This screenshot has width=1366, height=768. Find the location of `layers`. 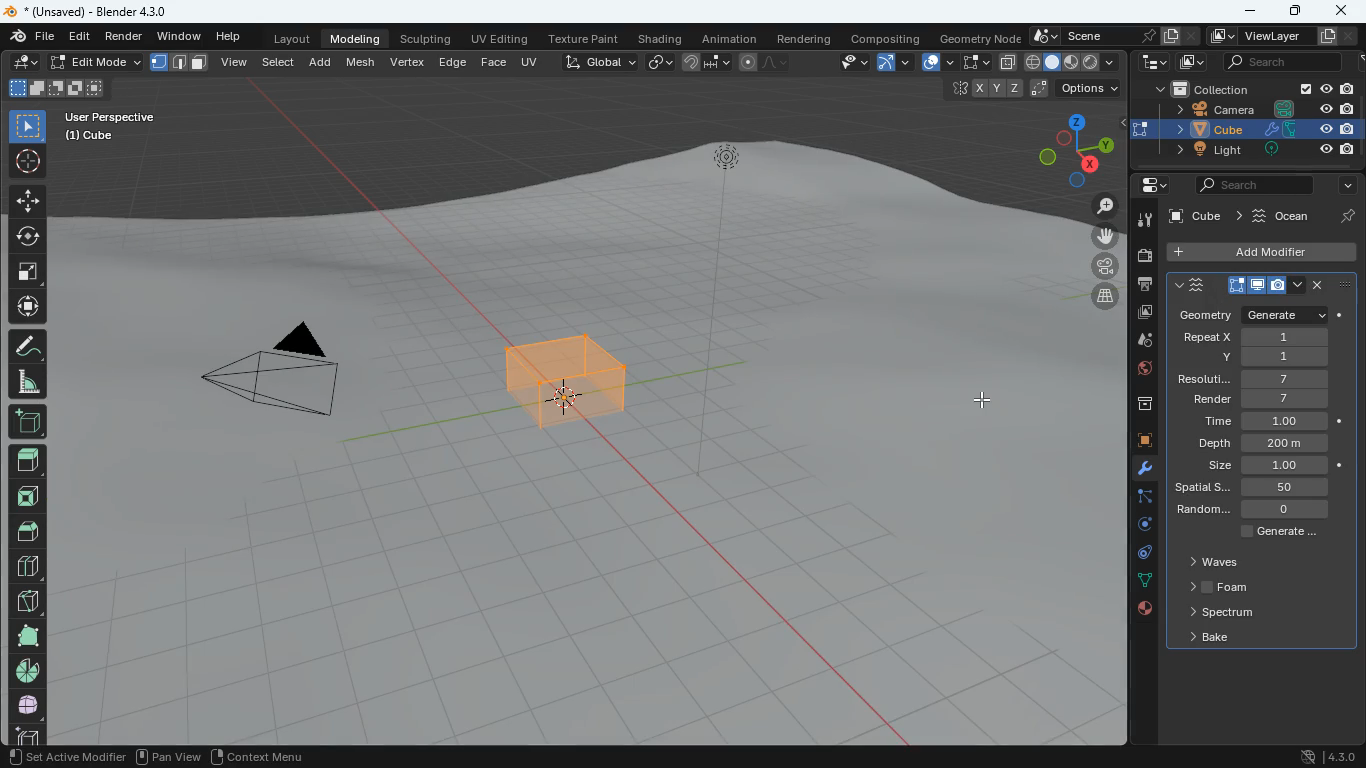

layers is located at coordinates (1099, 296).